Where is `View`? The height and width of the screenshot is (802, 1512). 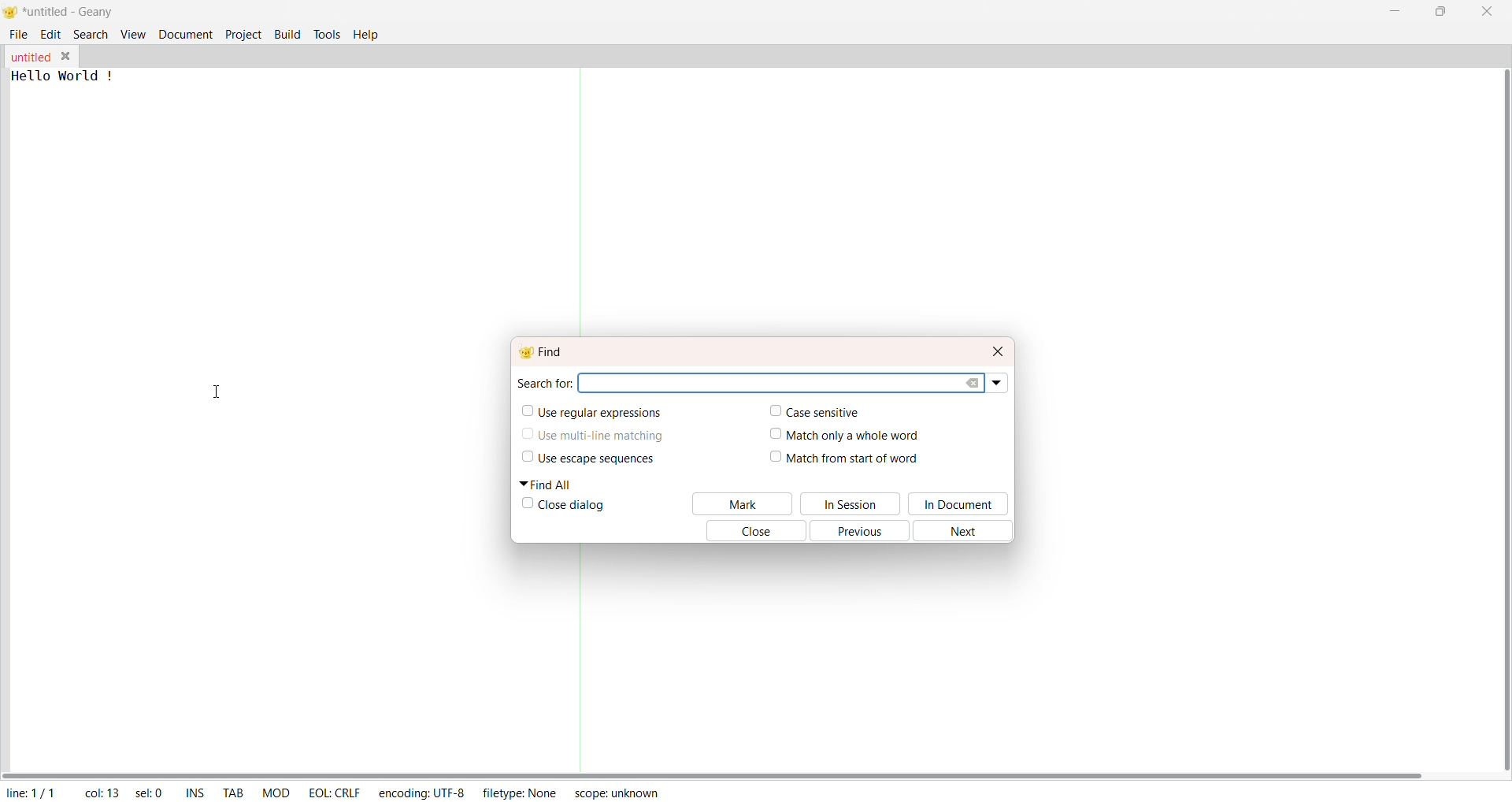
View is located at coordinates (131, 35).